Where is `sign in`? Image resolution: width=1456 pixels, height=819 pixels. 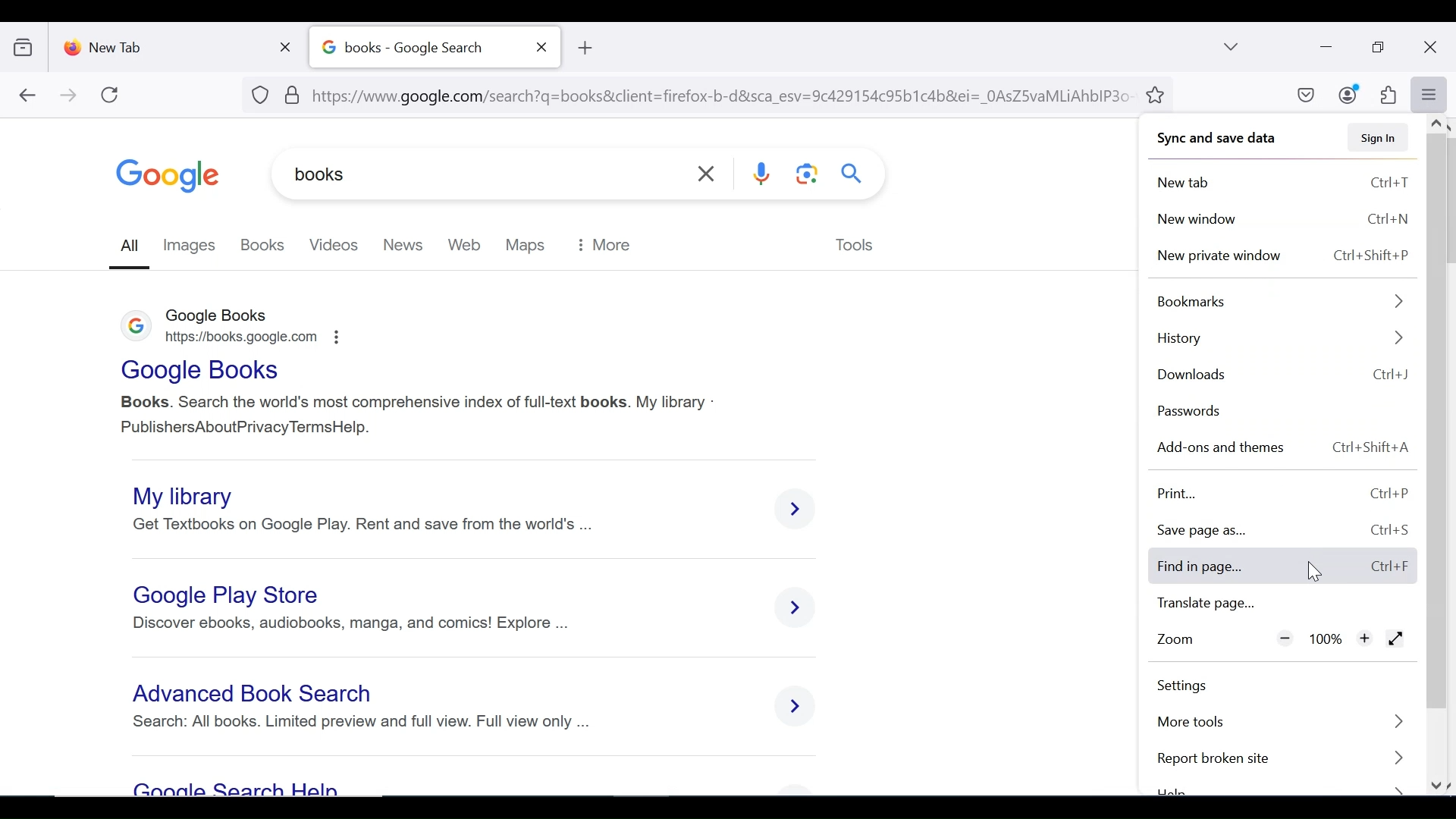 sign in is located at coordinates (1377, 137).